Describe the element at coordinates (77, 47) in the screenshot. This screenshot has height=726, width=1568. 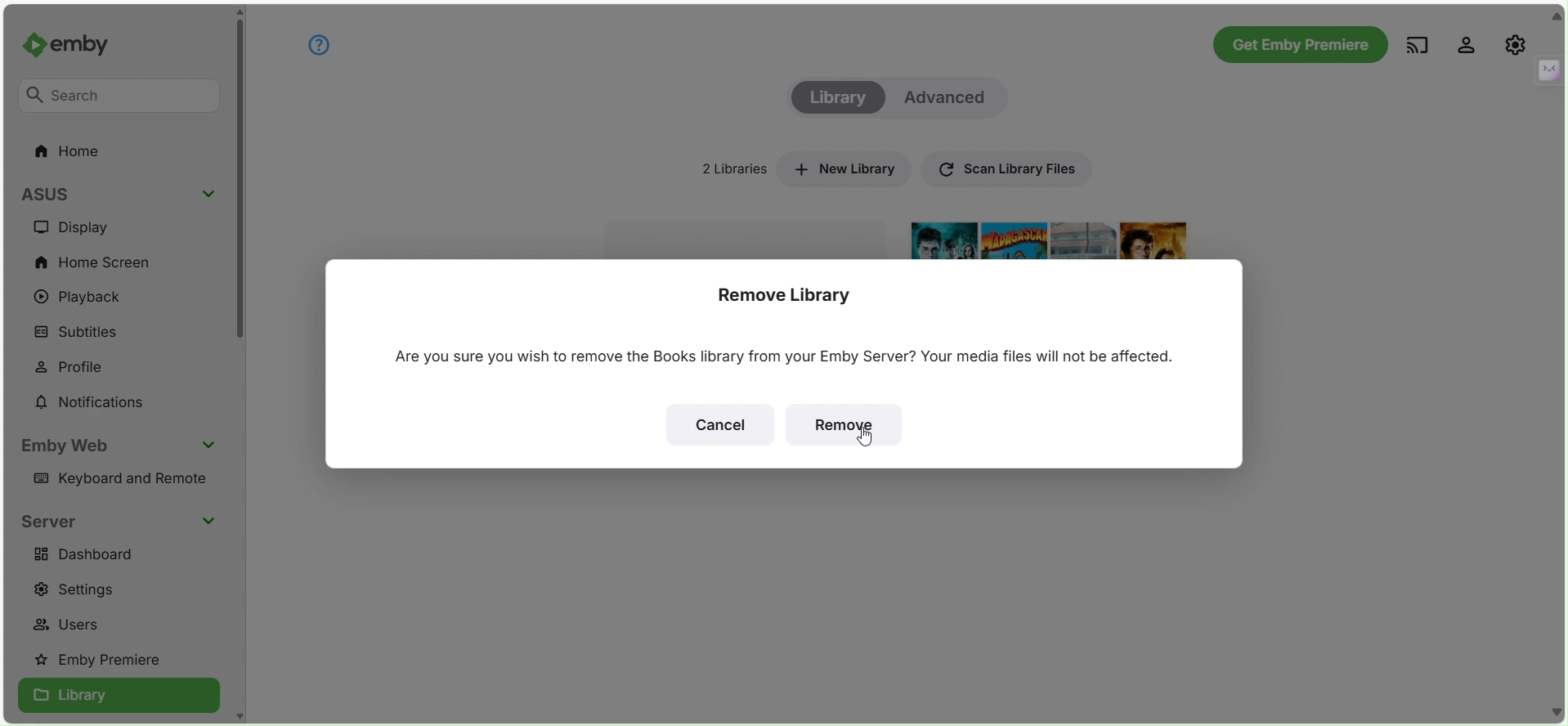
I see `Application Logo and Name` at that location.